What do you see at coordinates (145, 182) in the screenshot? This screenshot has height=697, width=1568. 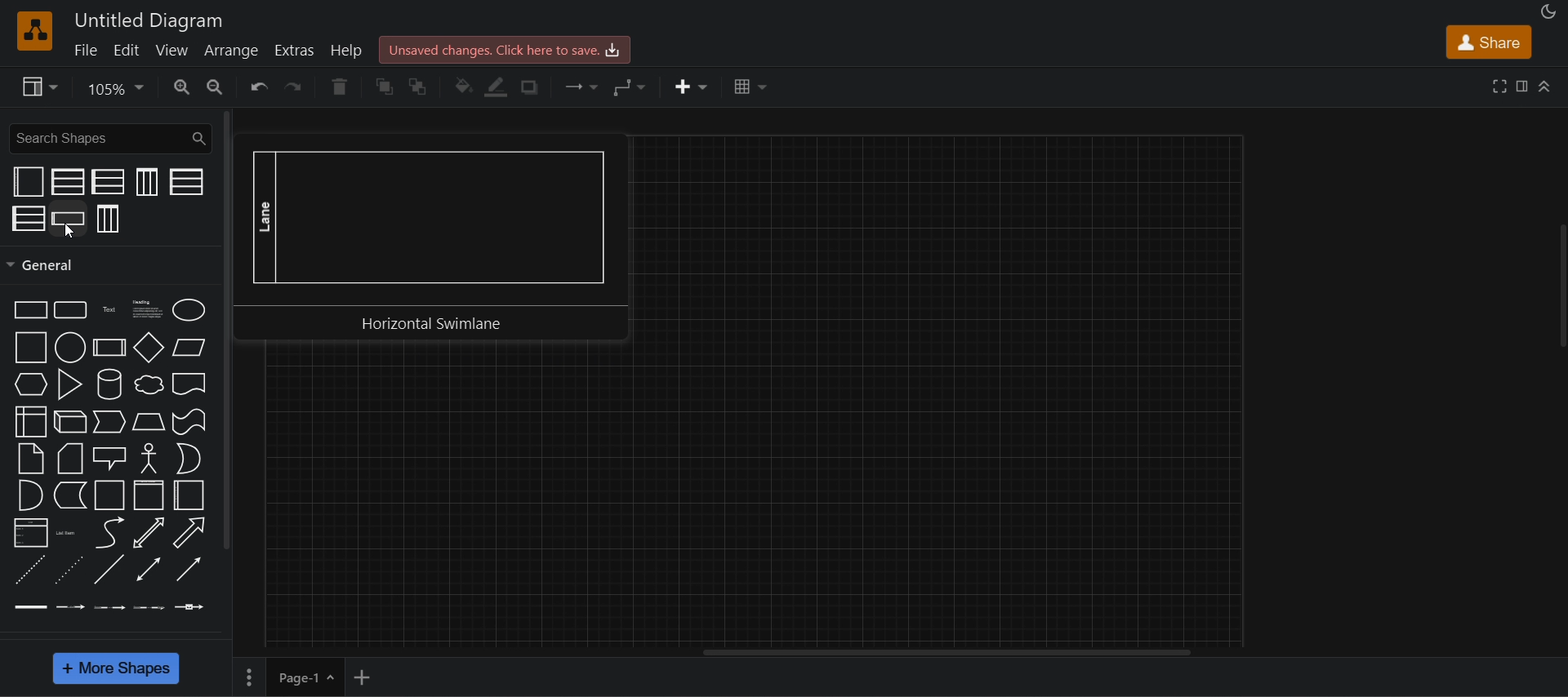 I see `vertical pool 1` at bounding box center [145, 182].